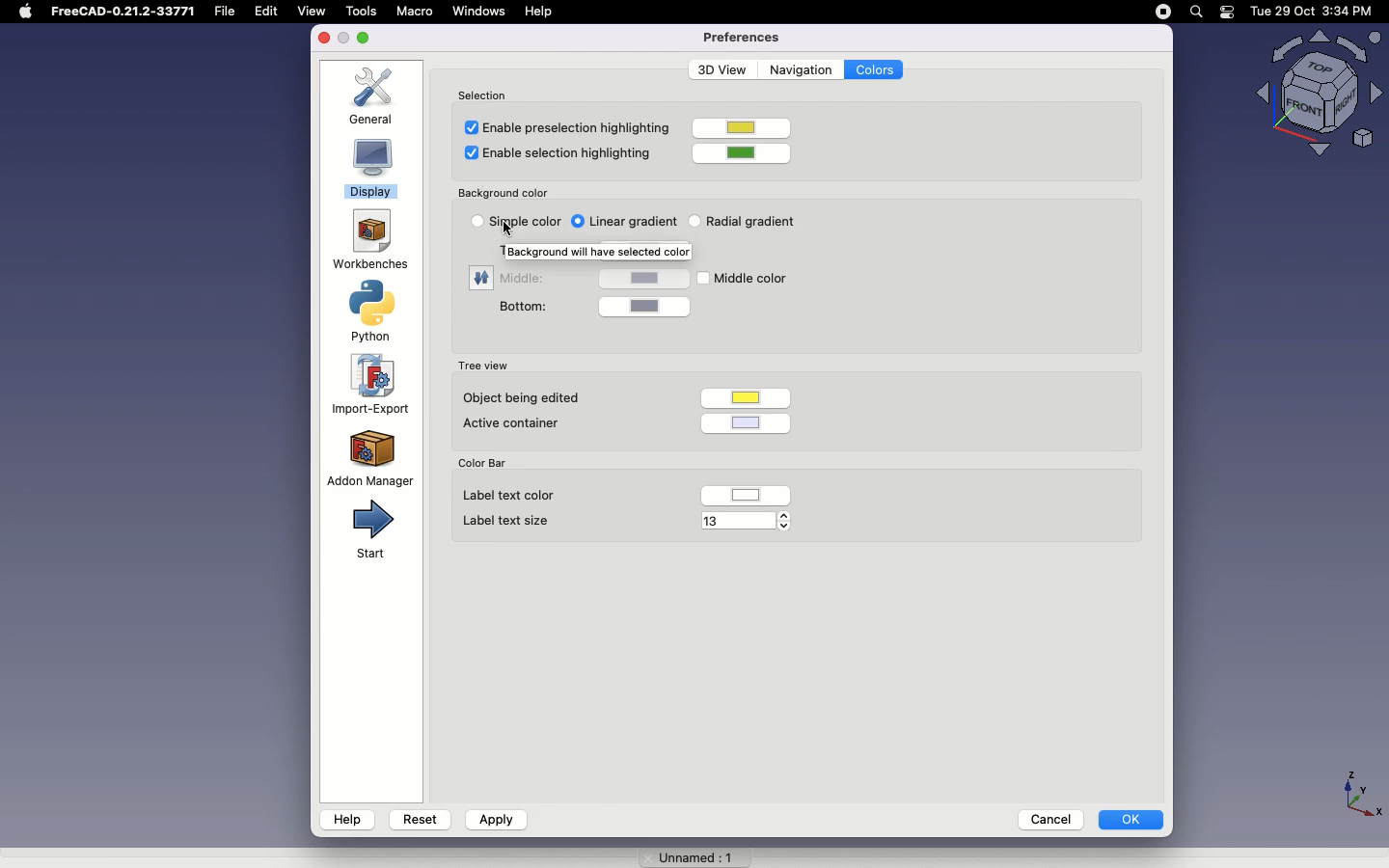 This screenshot has width=1389, height=868. I want to click on close, so click(324, 39).